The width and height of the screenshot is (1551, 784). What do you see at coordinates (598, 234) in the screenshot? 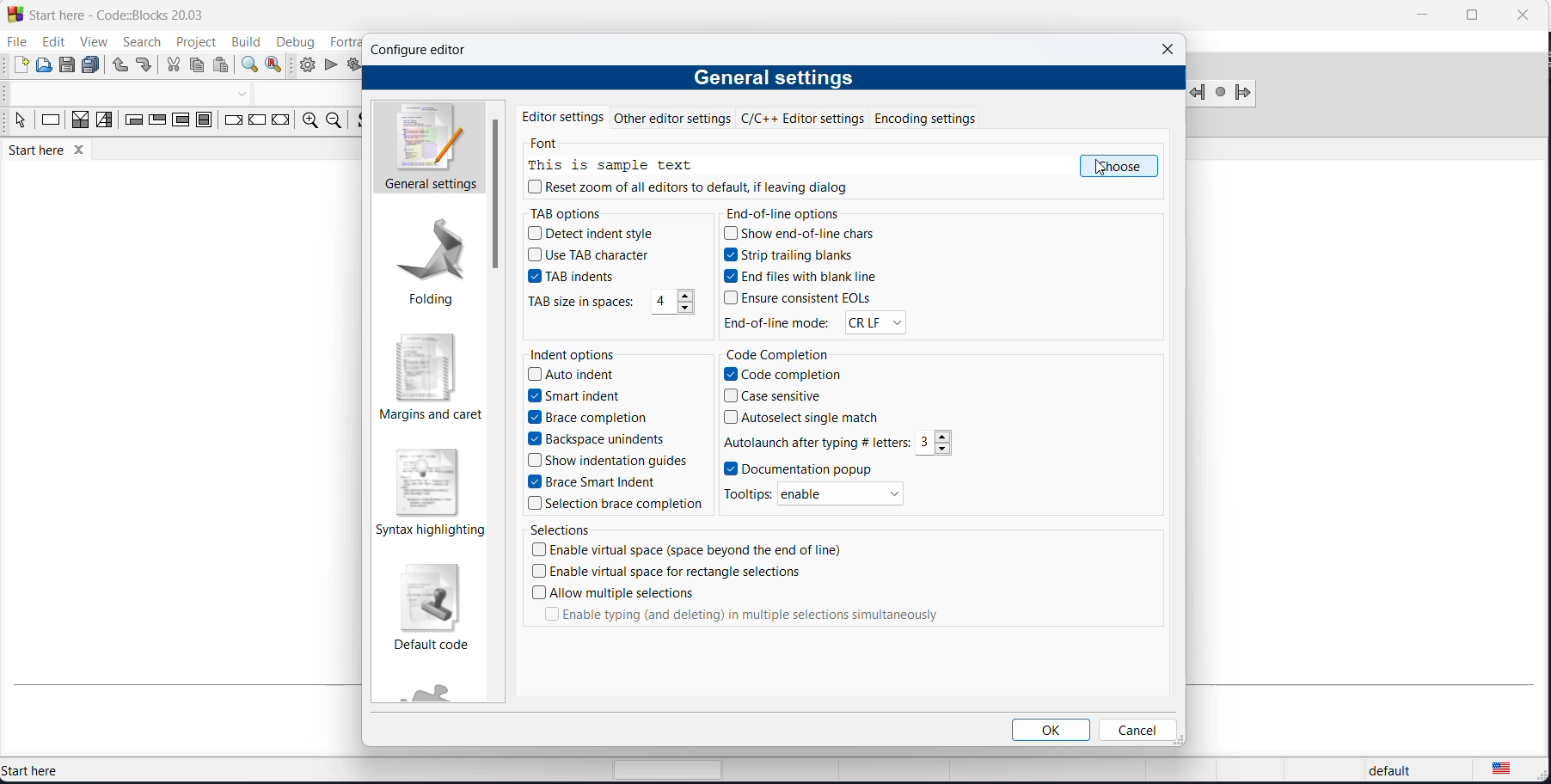
I see `detect indent style` at bounding box center [598, 234].